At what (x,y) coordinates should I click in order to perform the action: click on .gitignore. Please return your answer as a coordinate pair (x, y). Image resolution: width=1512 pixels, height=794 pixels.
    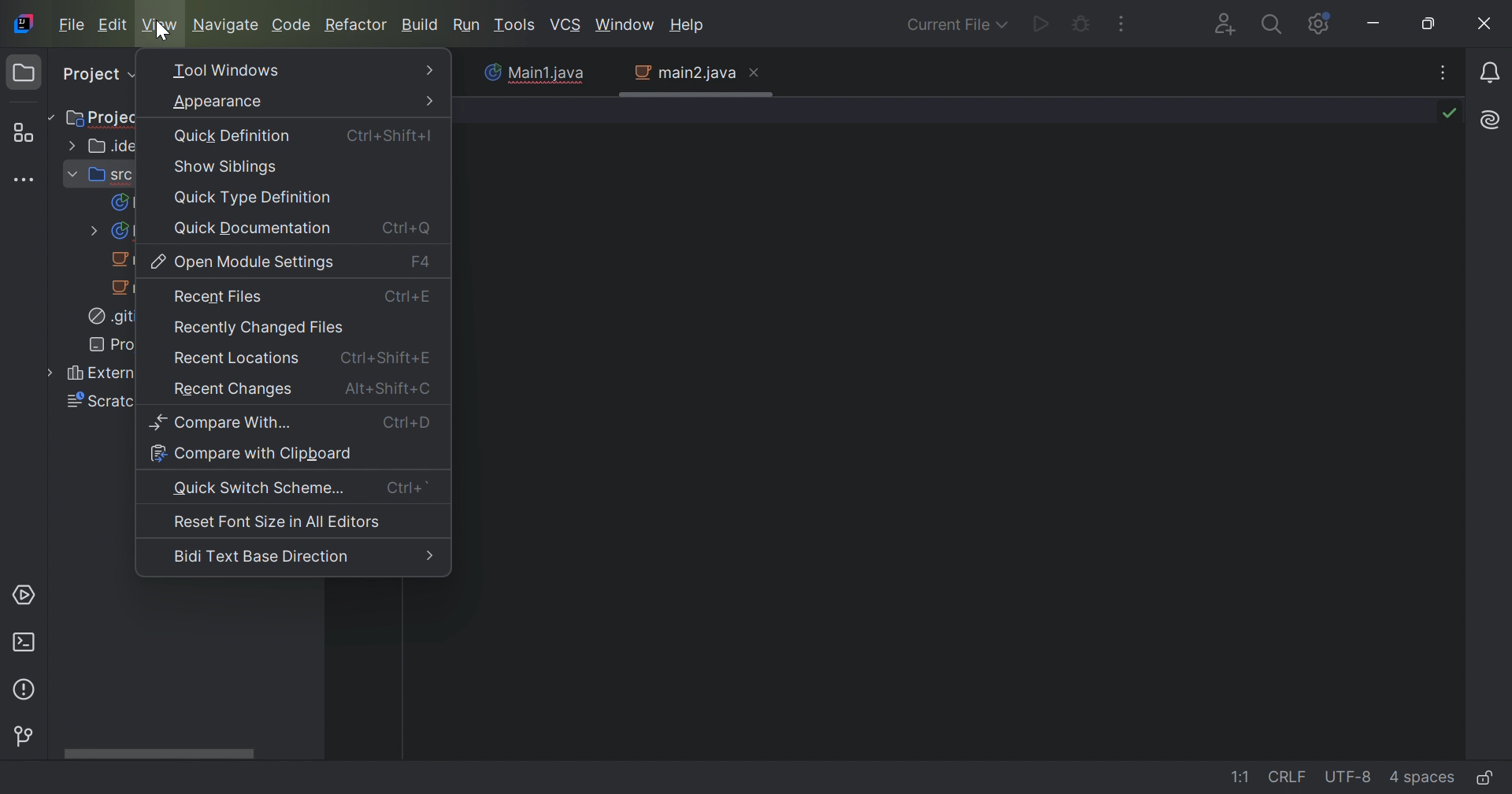
    Looking at the image, I should click on (109, 318).